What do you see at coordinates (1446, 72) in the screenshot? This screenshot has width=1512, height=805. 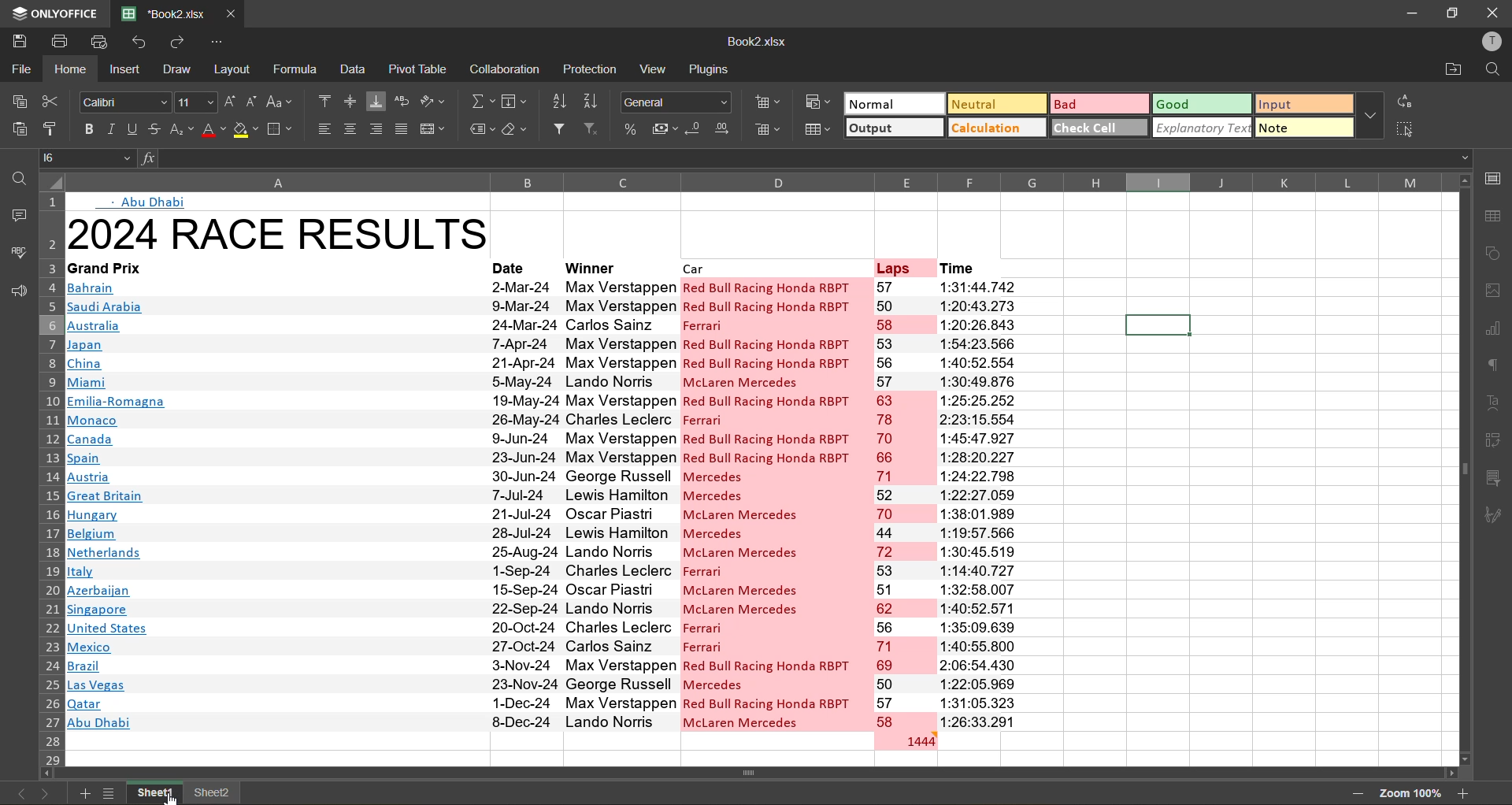 I see `open location` at bounding box center [1446, 72].